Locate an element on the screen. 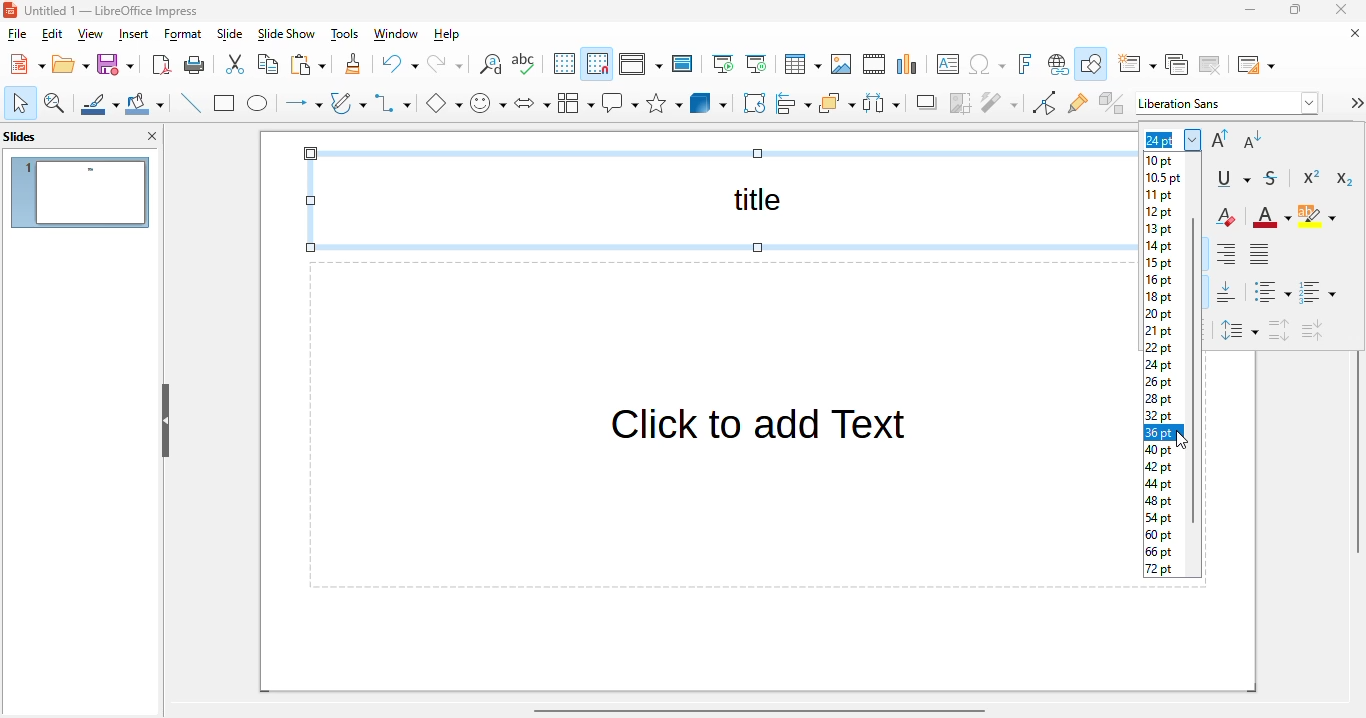 Image resolution: width=1366 pixels, height=718 pixels. window is located at coordinates (396, 34).